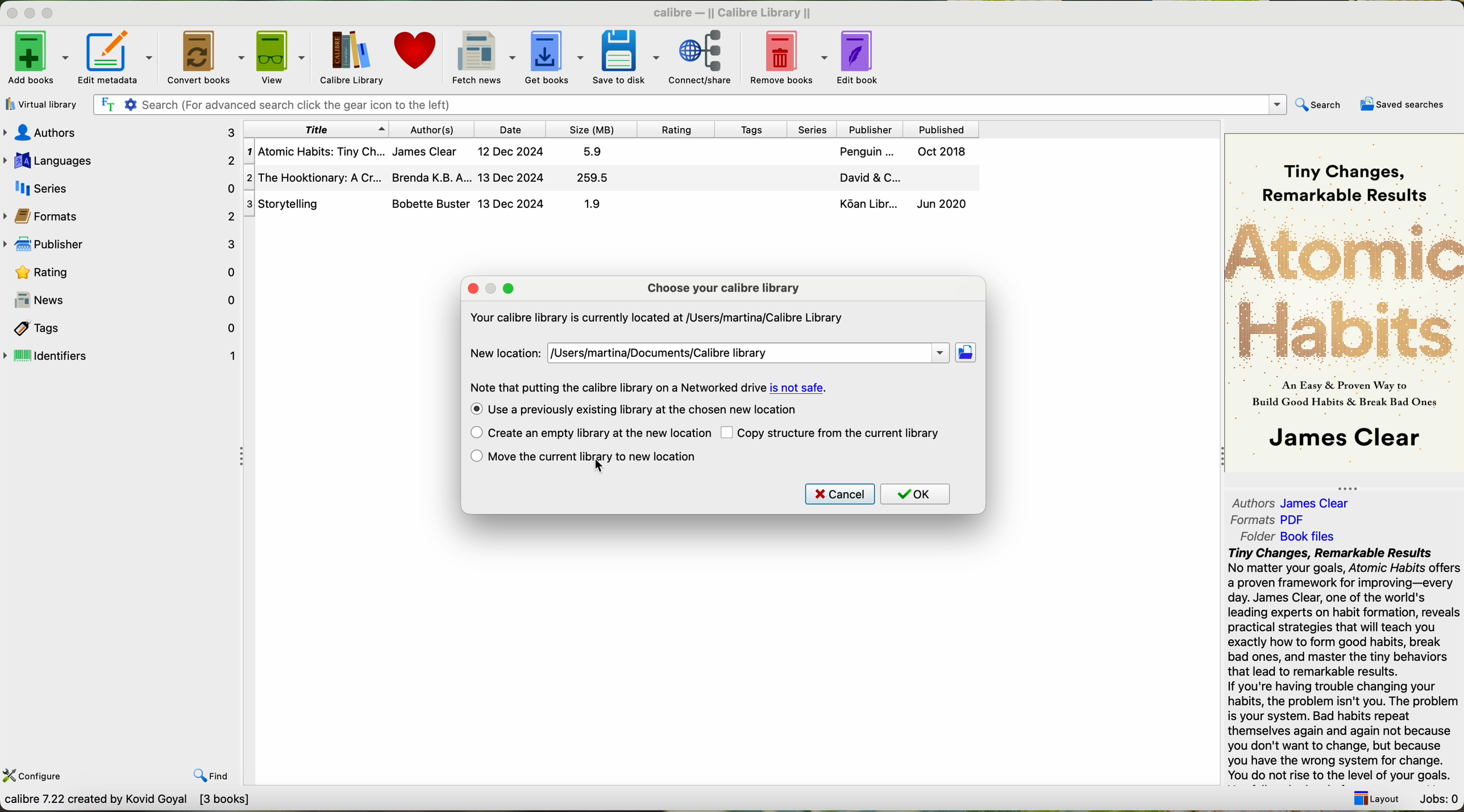  I want to click on Collapse, so click(244, 457).